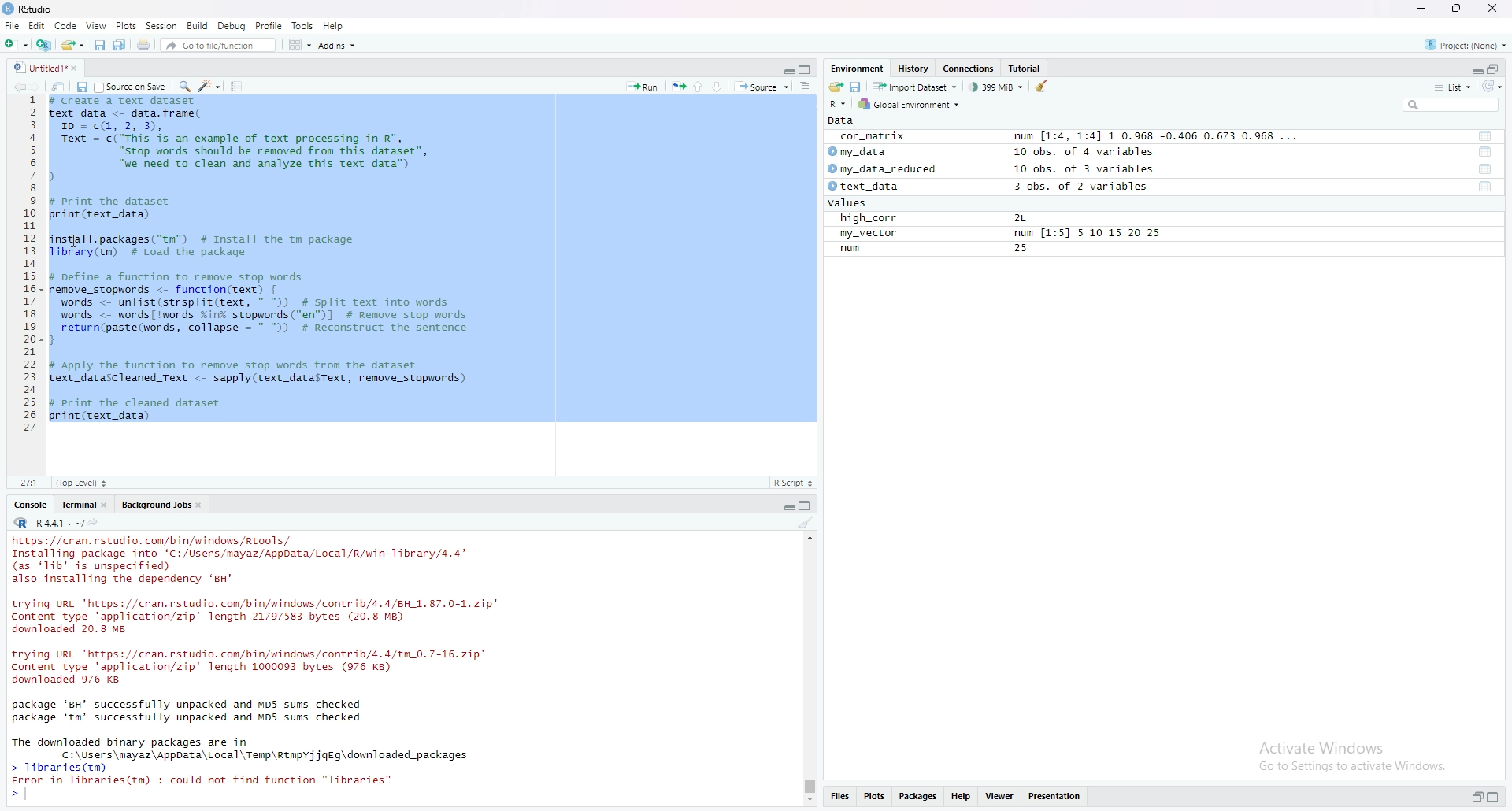 Image resolution: width=1512 pixels, height=811 pixels. I want to click on viewer, so click(999, 795).